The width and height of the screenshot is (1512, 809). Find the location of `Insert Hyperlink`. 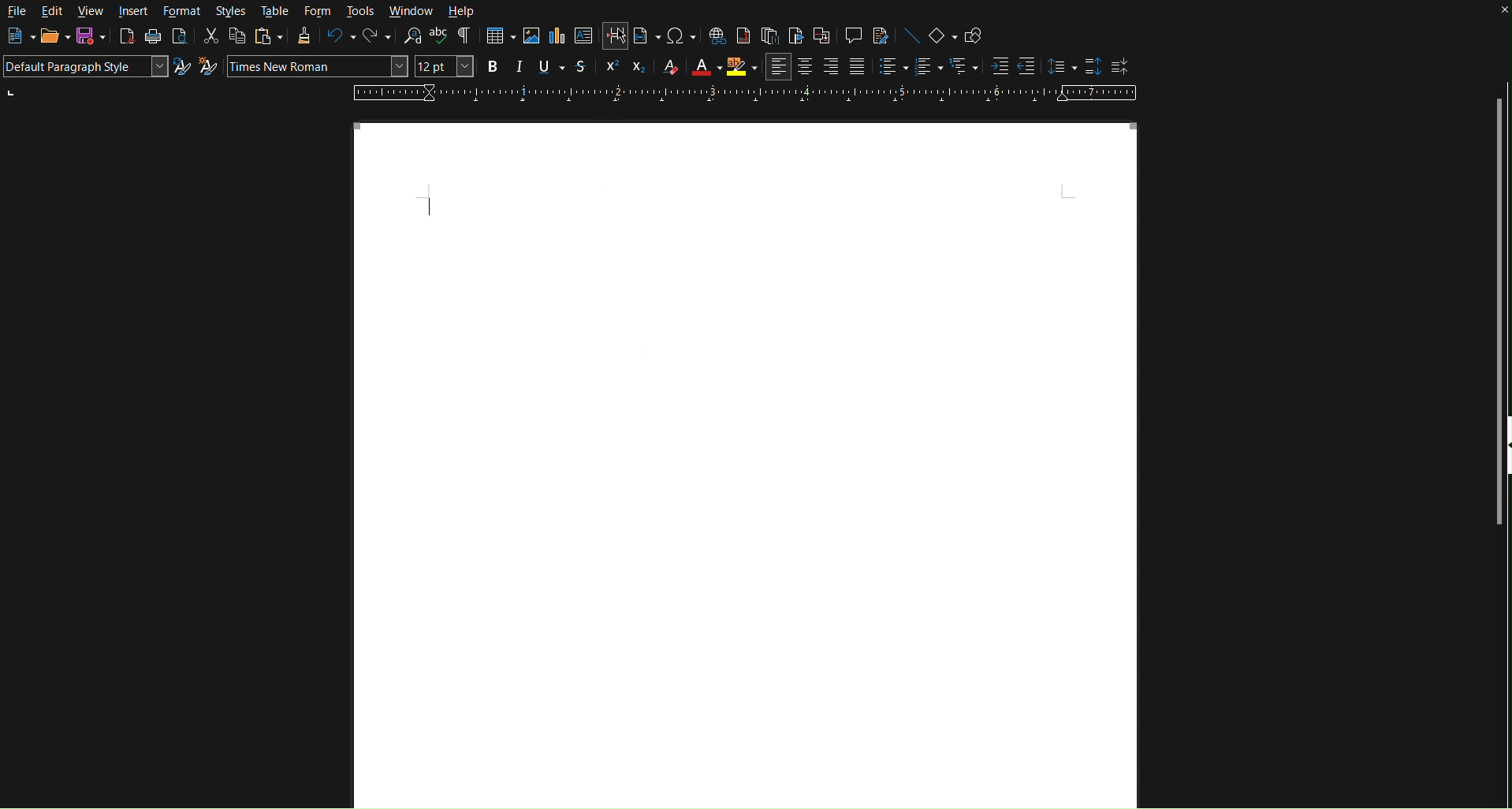

Insert Hyperlink is located at coordinates (715, 35).